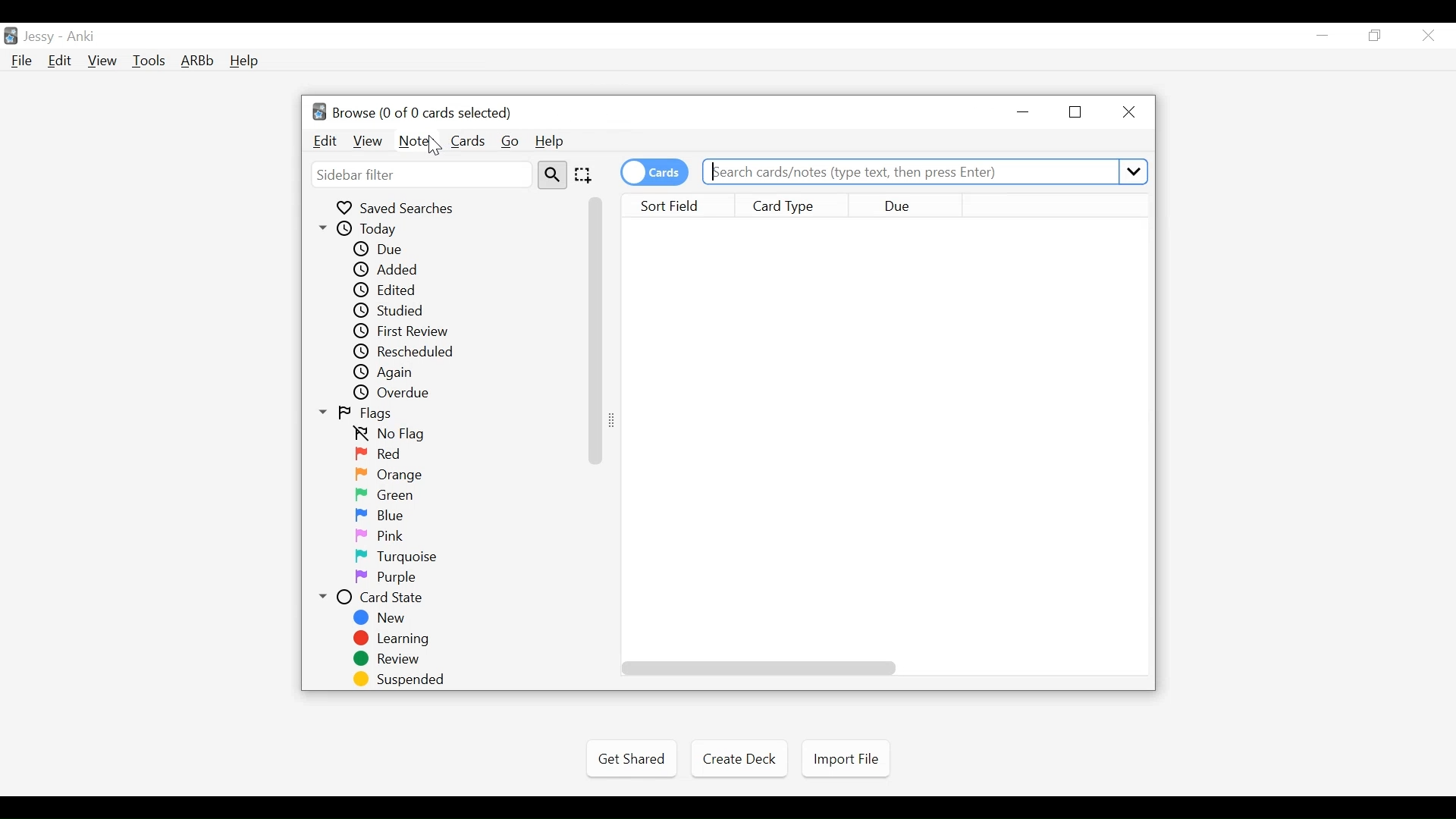 This screenshot has width=1456, height=819. Describe the element at coordinates (469, 141) in the screenshot. I see `Cards` at that location.